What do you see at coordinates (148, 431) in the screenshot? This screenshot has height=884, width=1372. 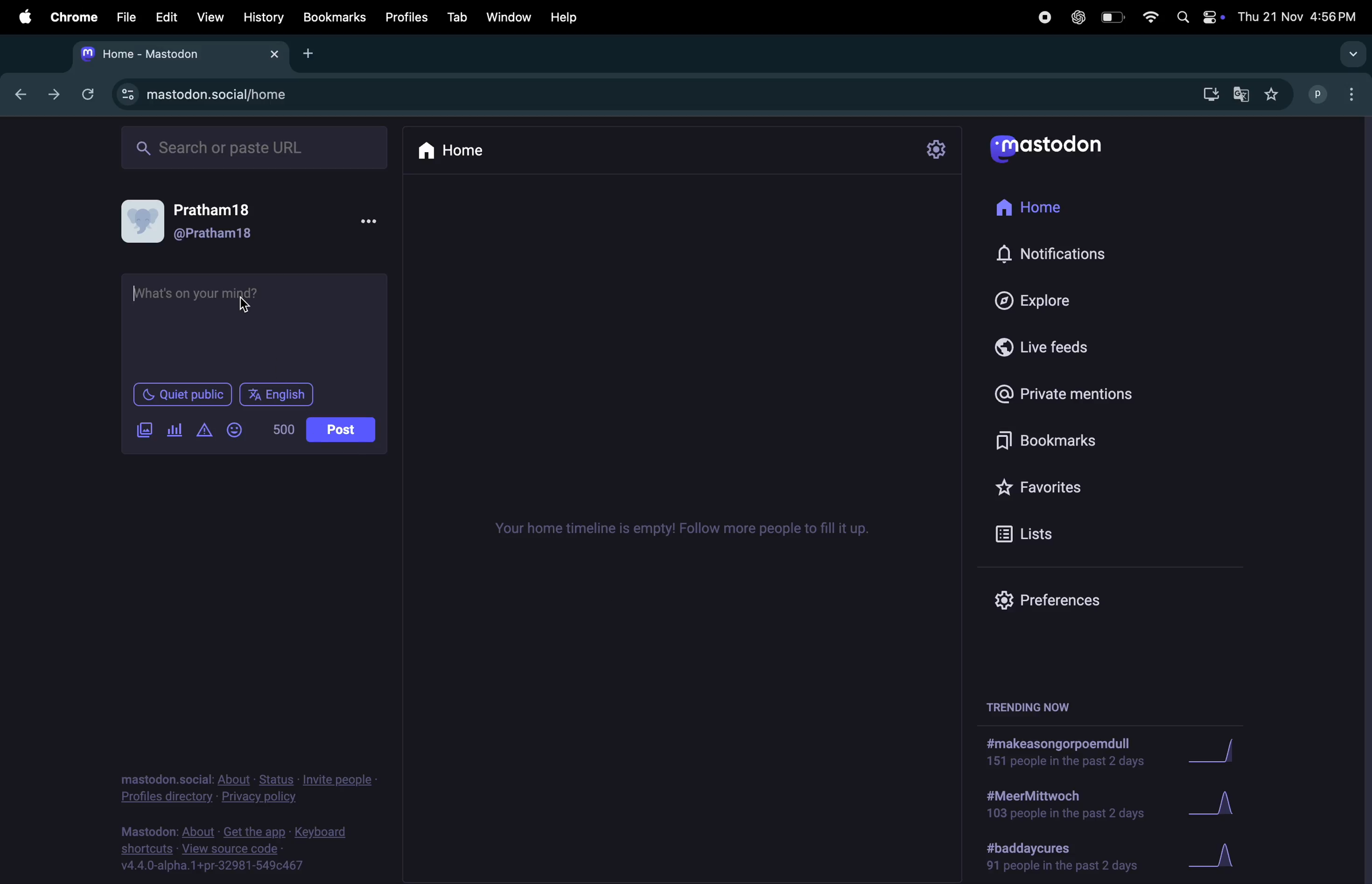 I see `add image` at bounding box center [148, 431].